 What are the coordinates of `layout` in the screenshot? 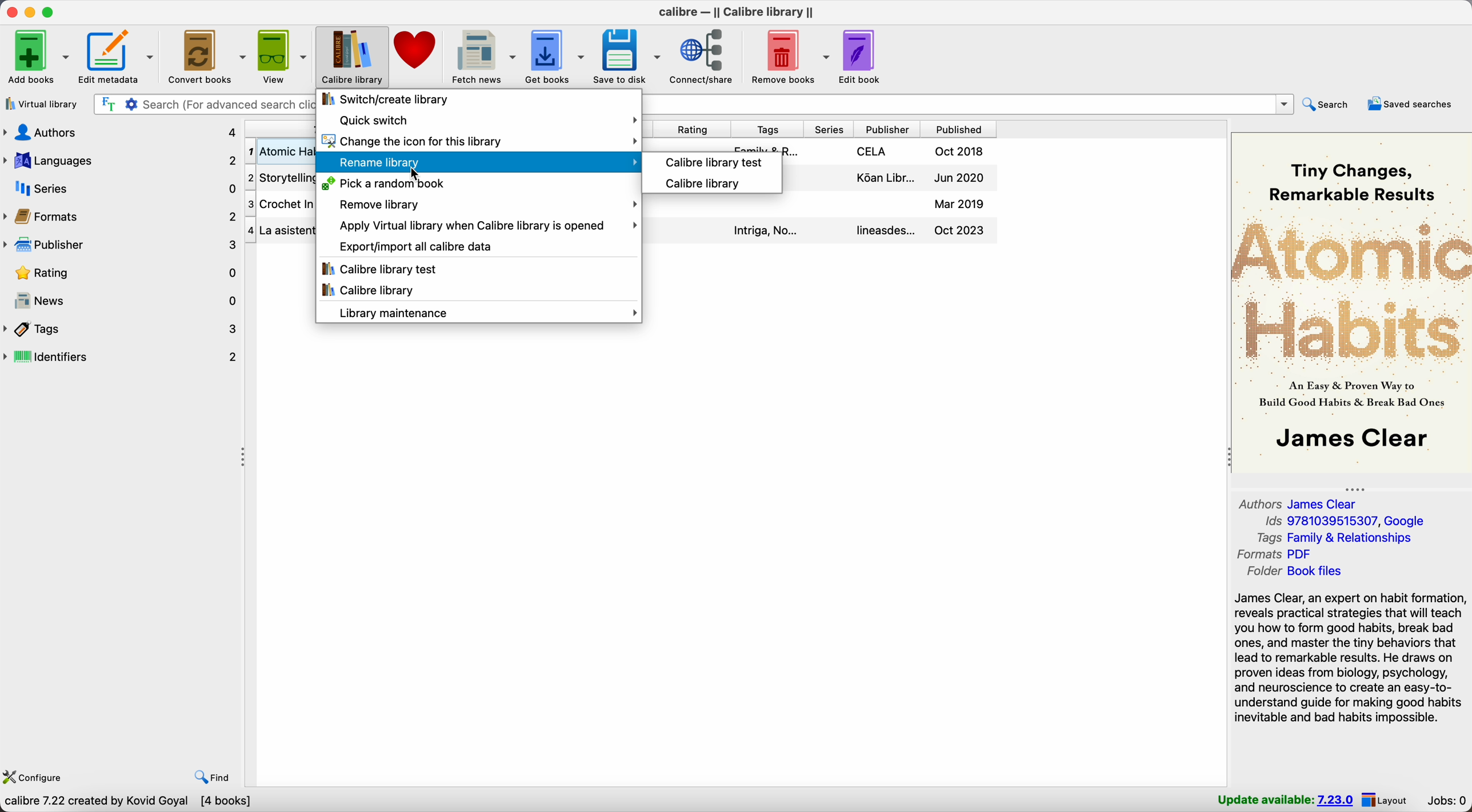 It's located at (1386, 800).